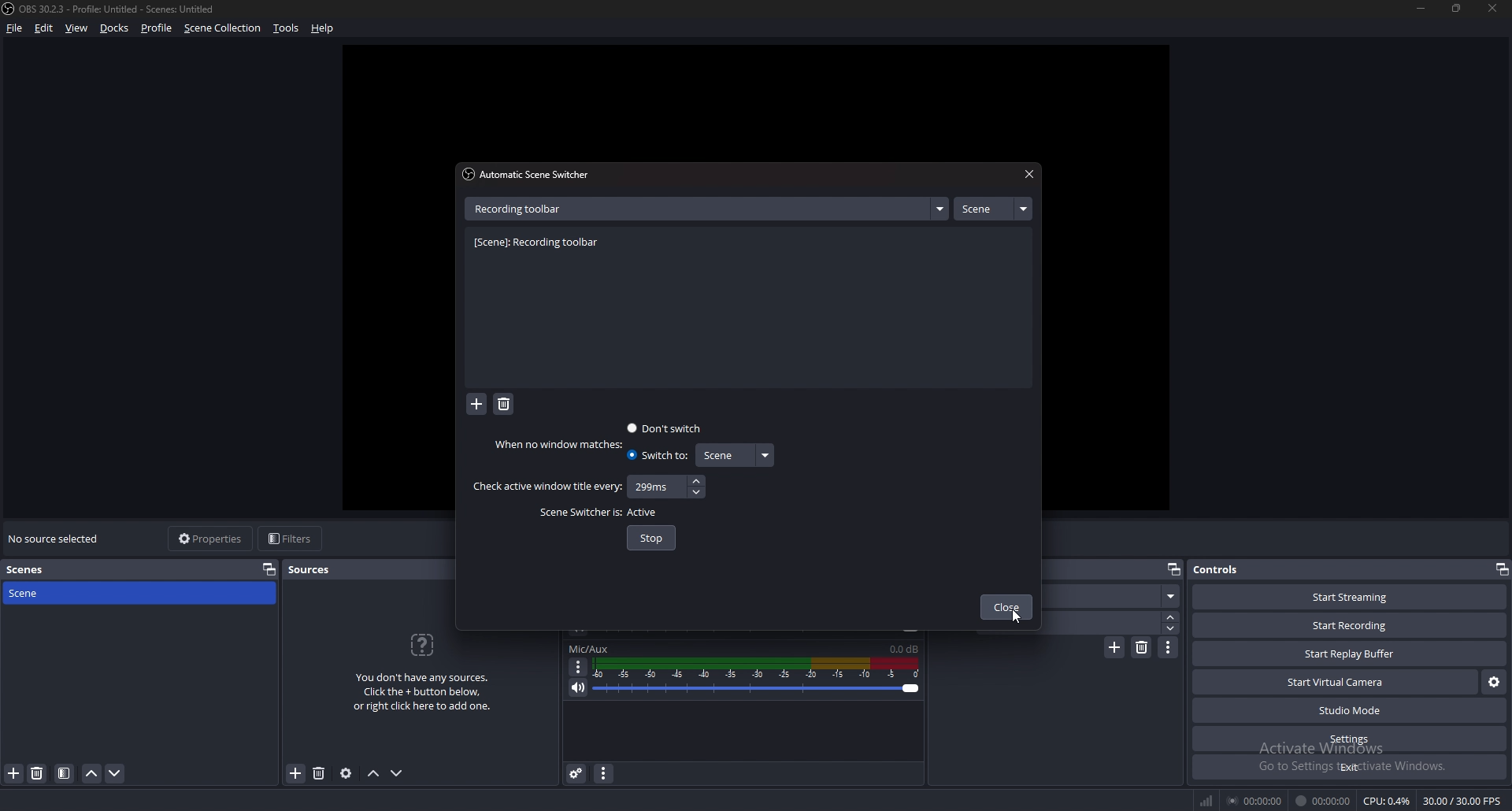 Image resolution: width=1512 pixels, height=811 pixels. What do you see at coordinates (116, 773) in the screenshot?
I see `move scene down` at bounding box center [116, 773].